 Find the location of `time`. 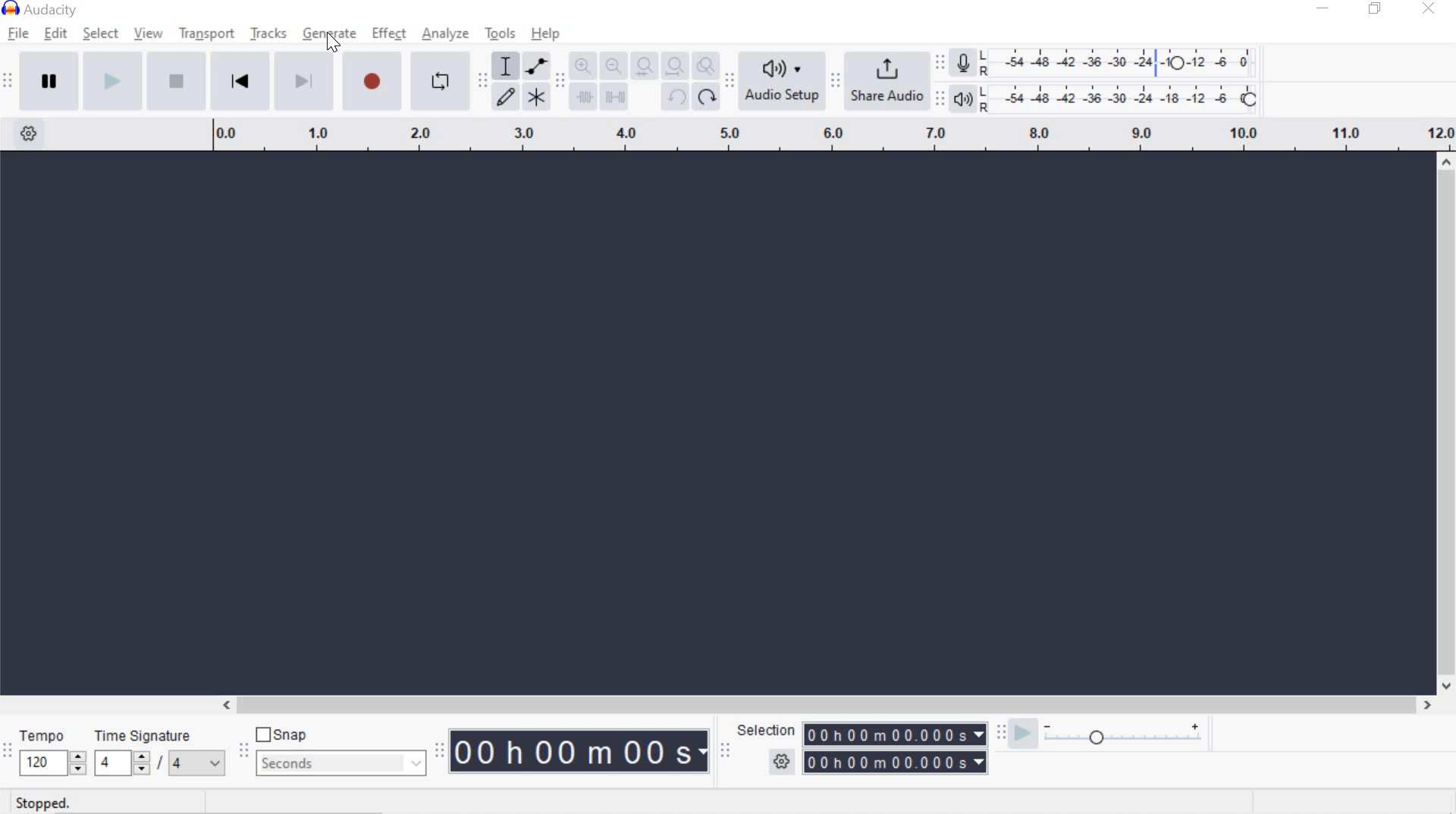

time is located at coordinates (581, 751).